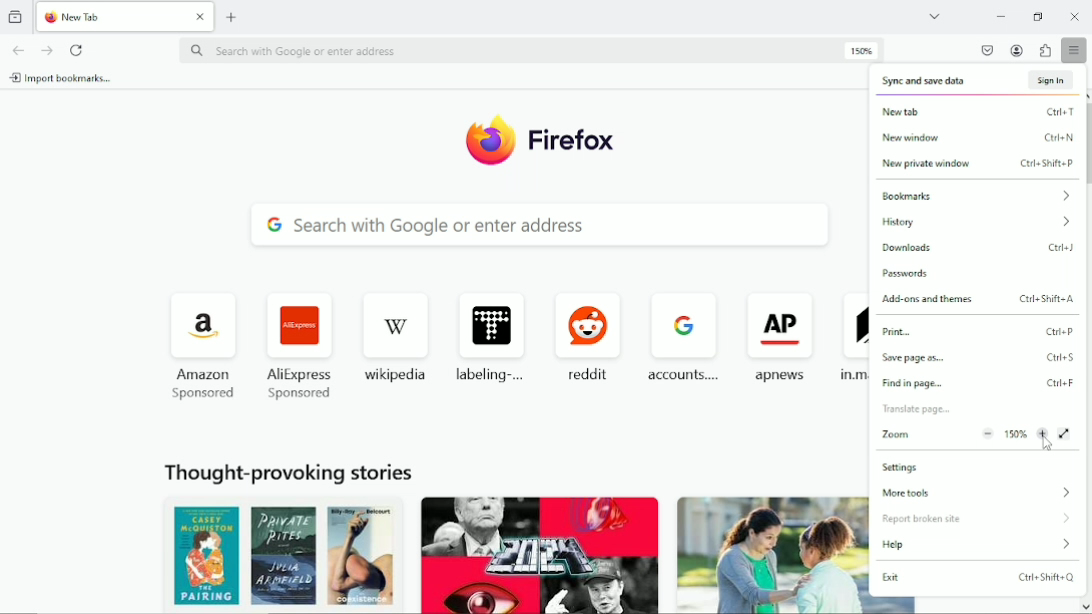 This screenshot has width=1092, height=614. I want to click on Downloads, so click(978, 248).